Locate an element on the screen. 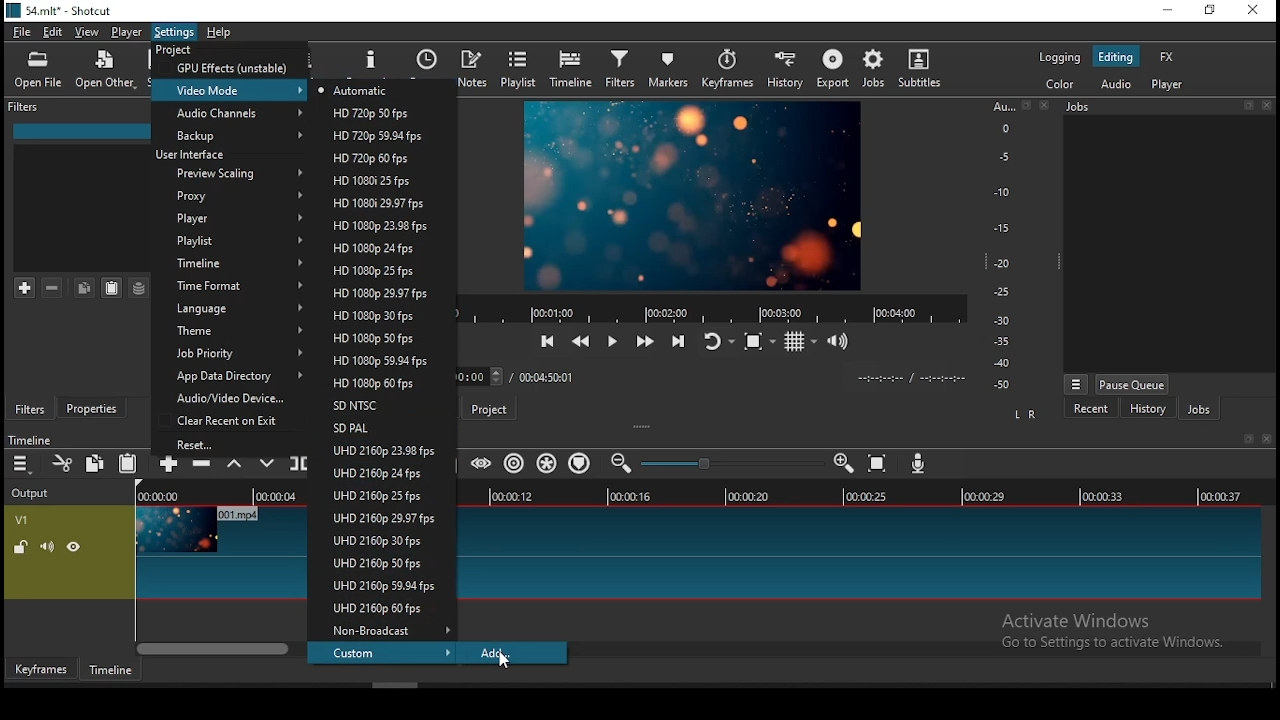  -10 is located at coordinates (1000, 192).